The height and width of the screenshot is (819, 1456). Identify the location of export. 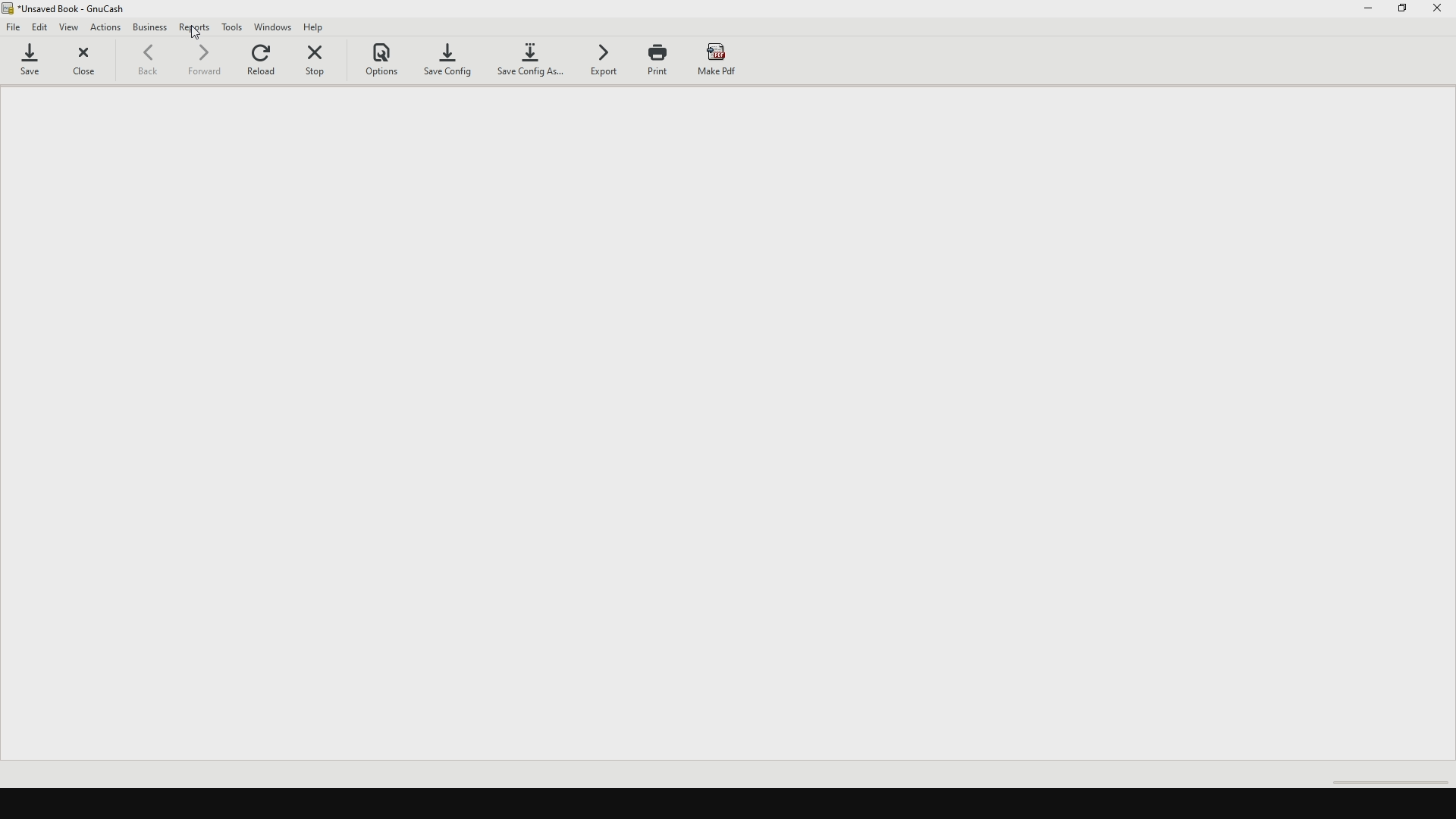
(604, 64).